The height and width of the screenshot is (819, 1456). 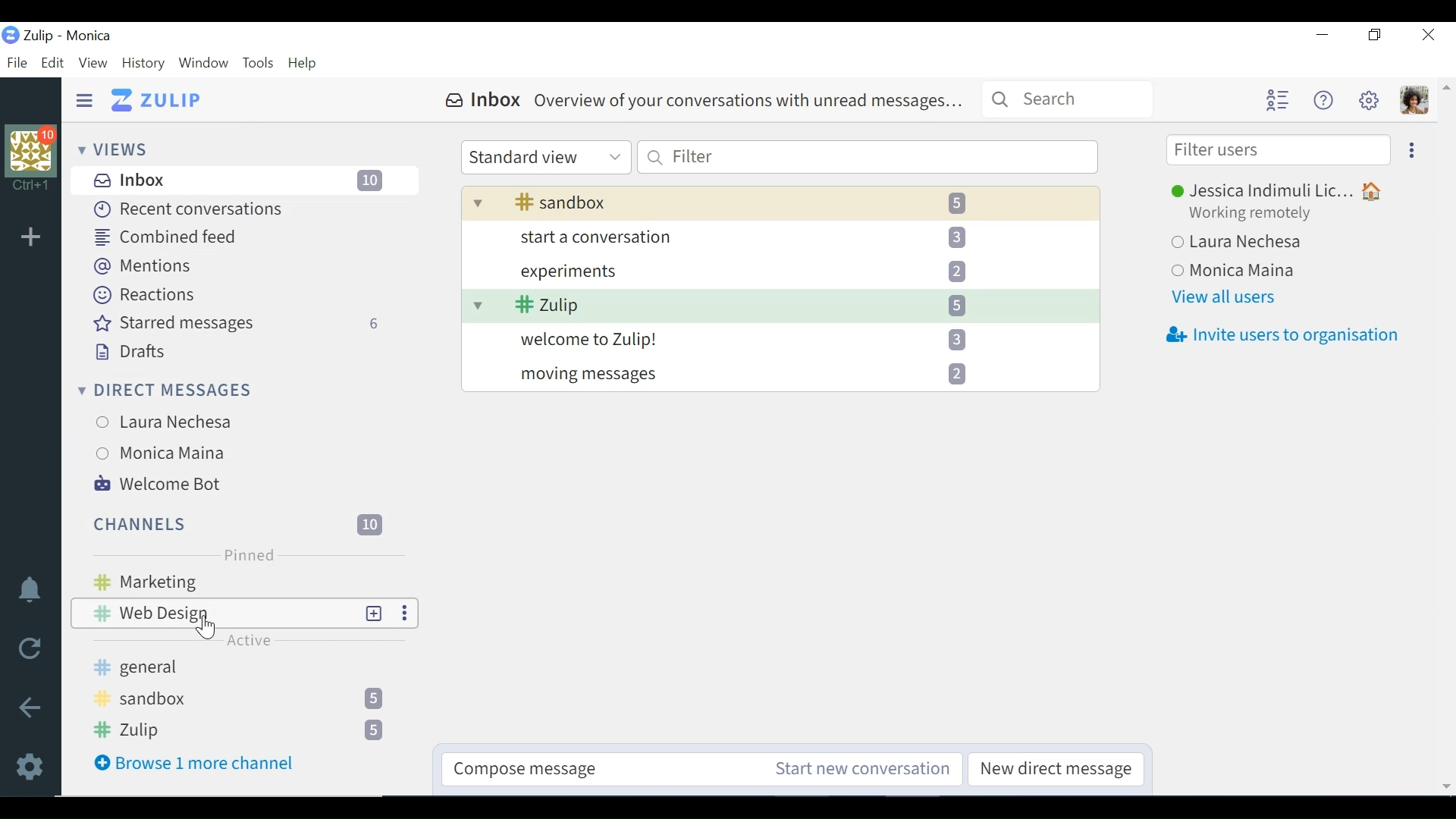 What do you see at coordinates (238, 324) in the screenshot?
I see `Starred messages` at bounding box center [238, 324].